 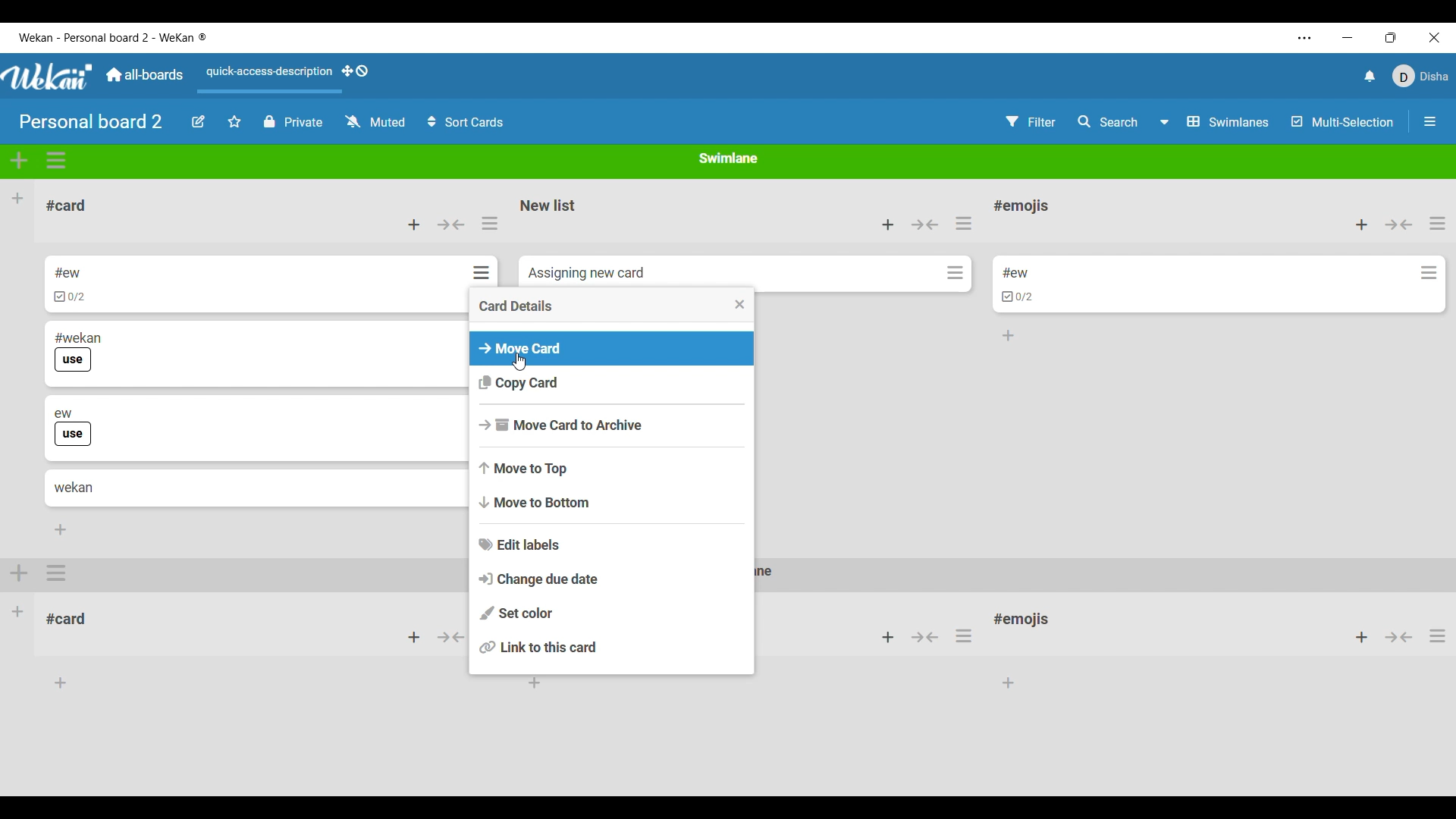 What do you see at coordinates (1031, 122) in the screenshot?
I see `Filter` at bounding box center [1031, 122].